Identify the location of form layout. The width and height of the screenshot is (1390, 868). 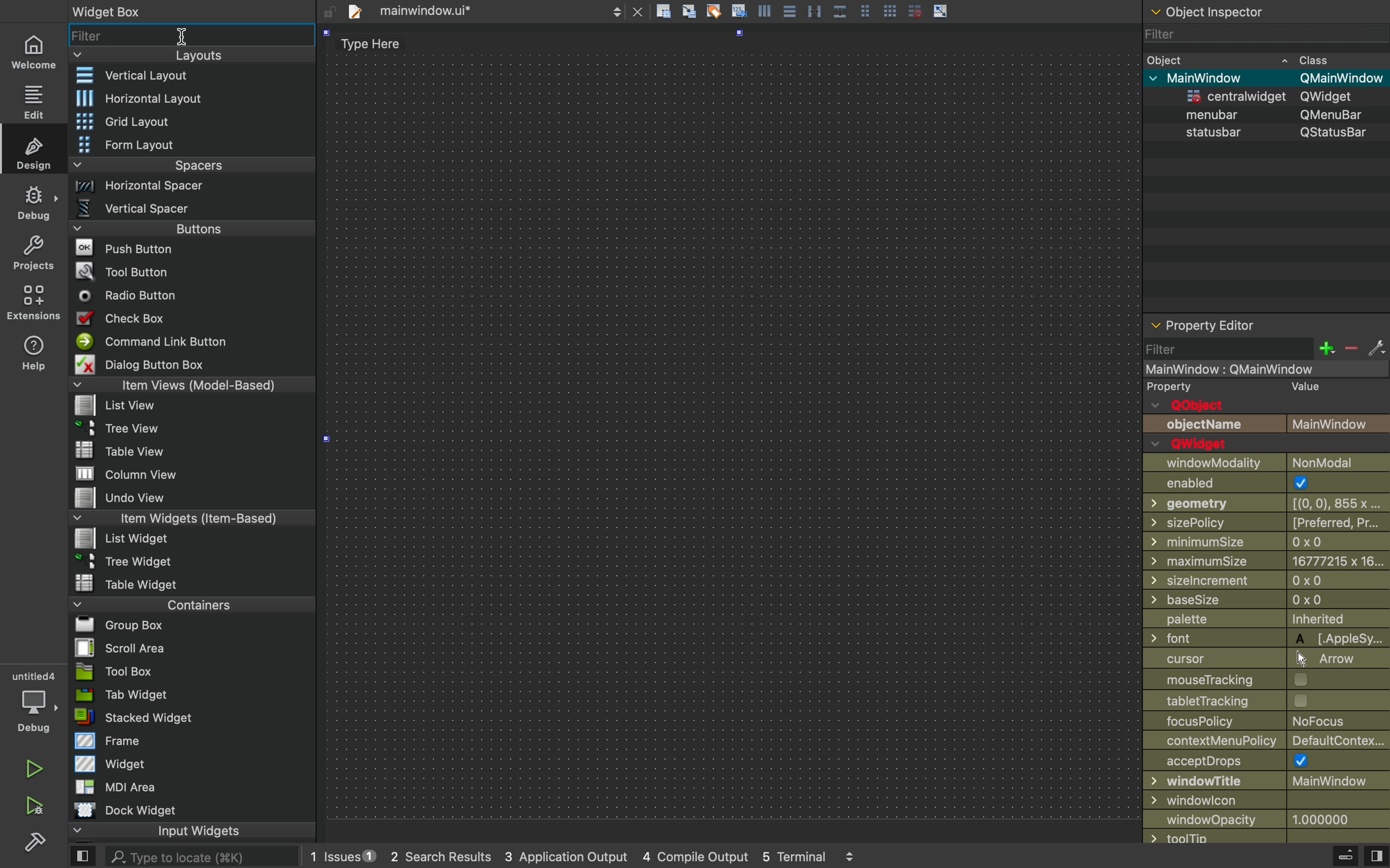
(192, 142).